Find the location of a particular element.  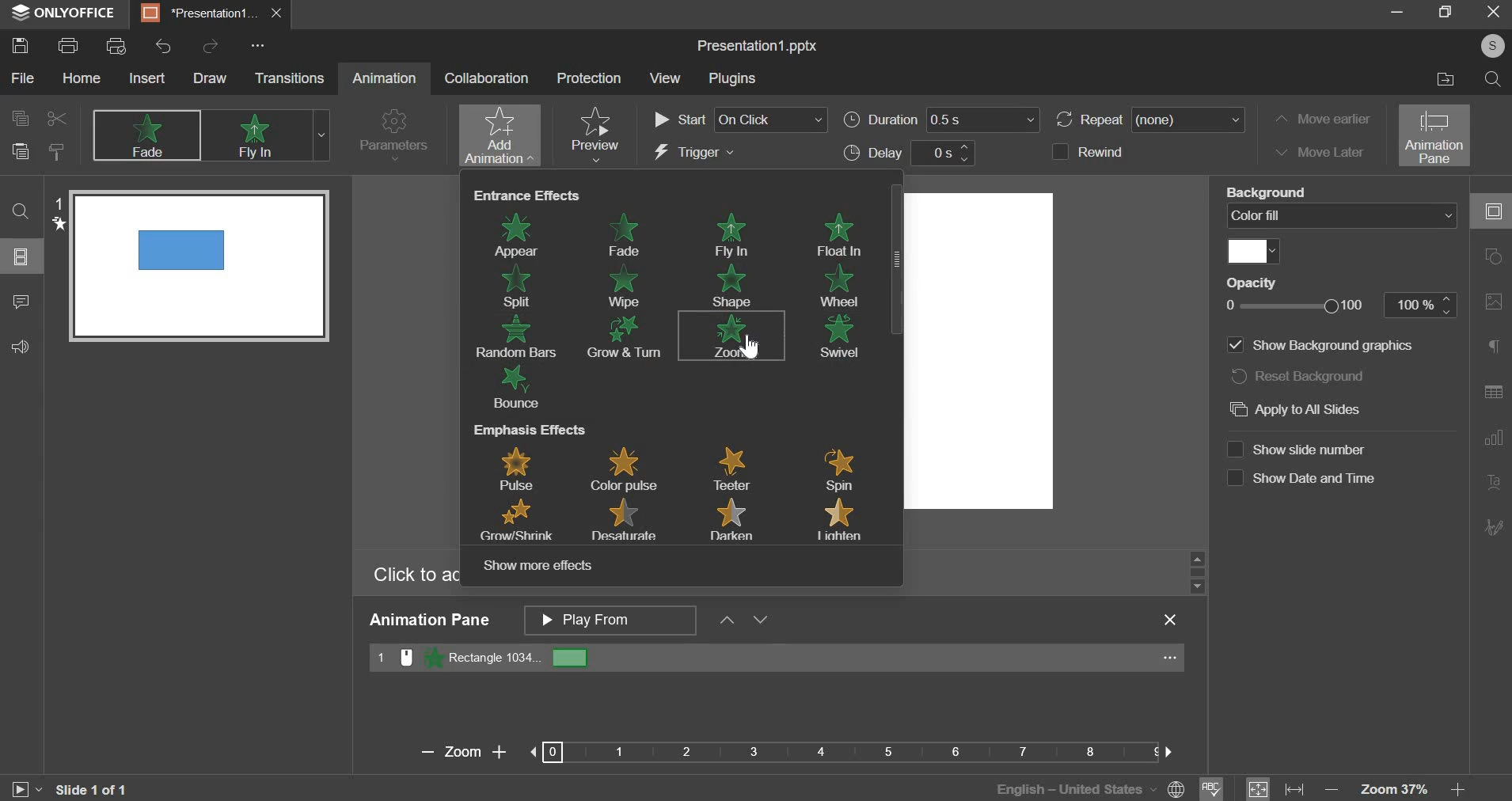

Line is located at coordinates (1328, 346).